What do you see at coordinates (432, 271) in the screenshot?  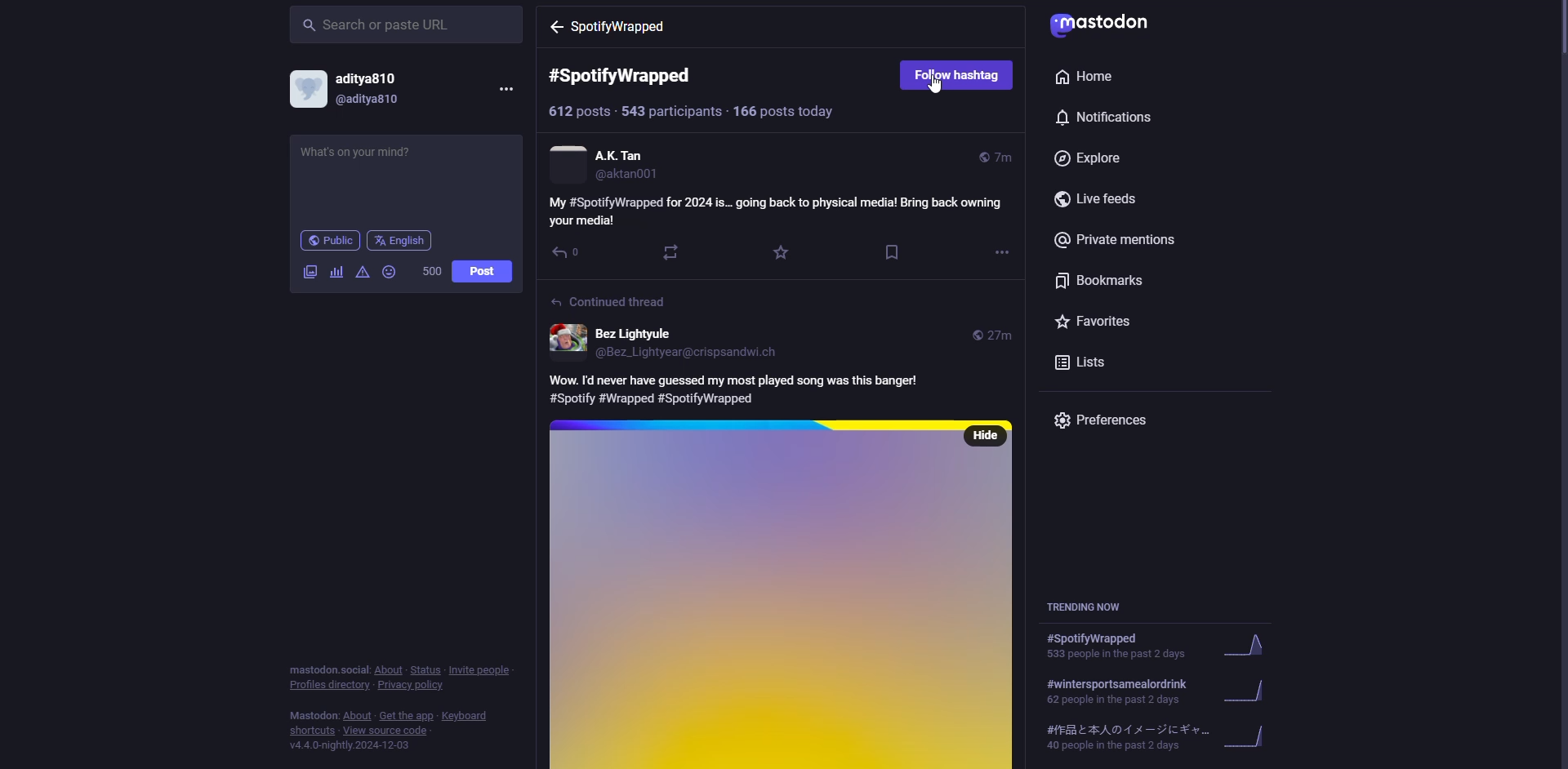 I see `500` at bounding box center [432, 271].